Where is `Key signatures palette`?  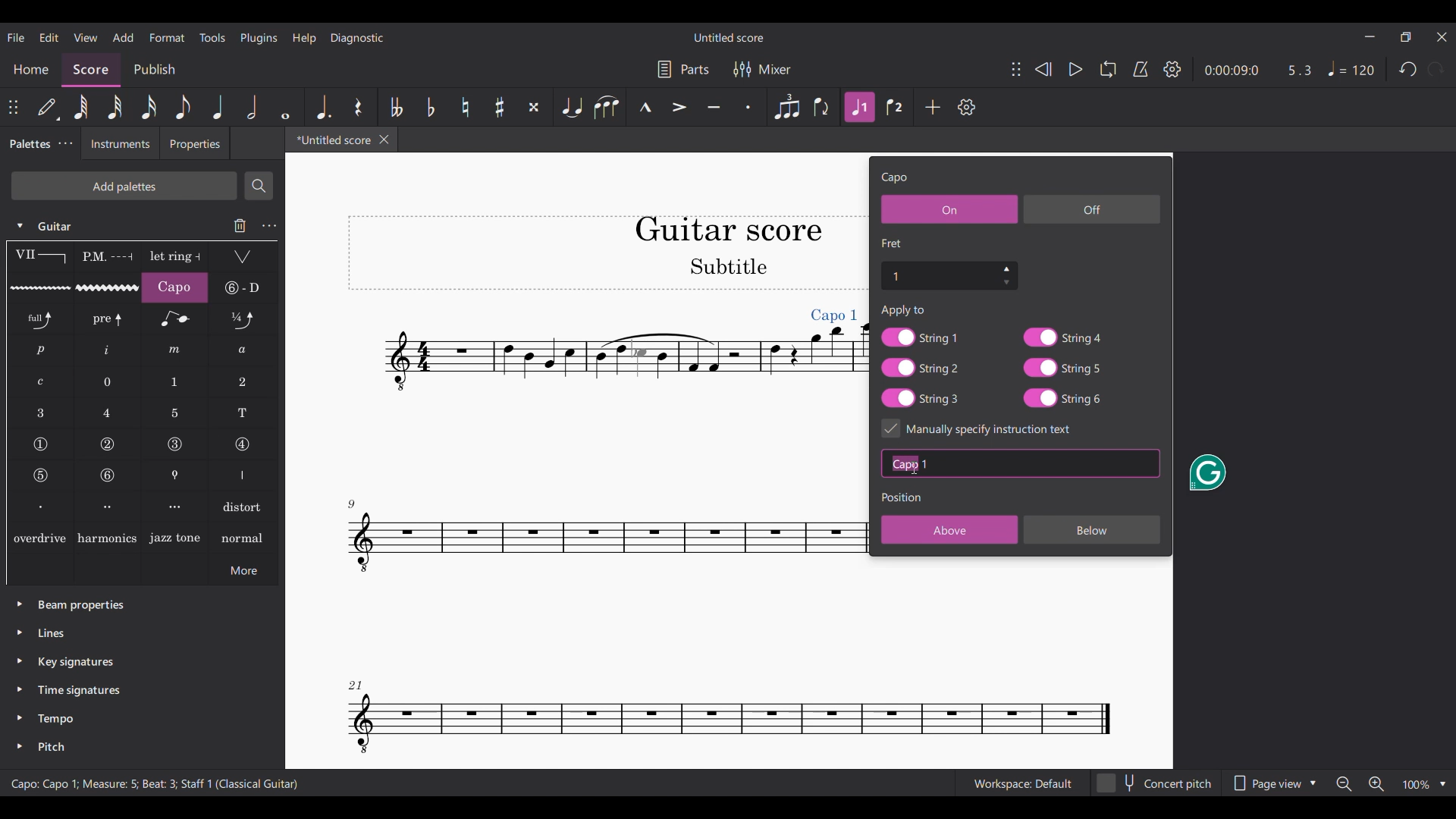 Key signatures palette is located at coordinates (76, 662).